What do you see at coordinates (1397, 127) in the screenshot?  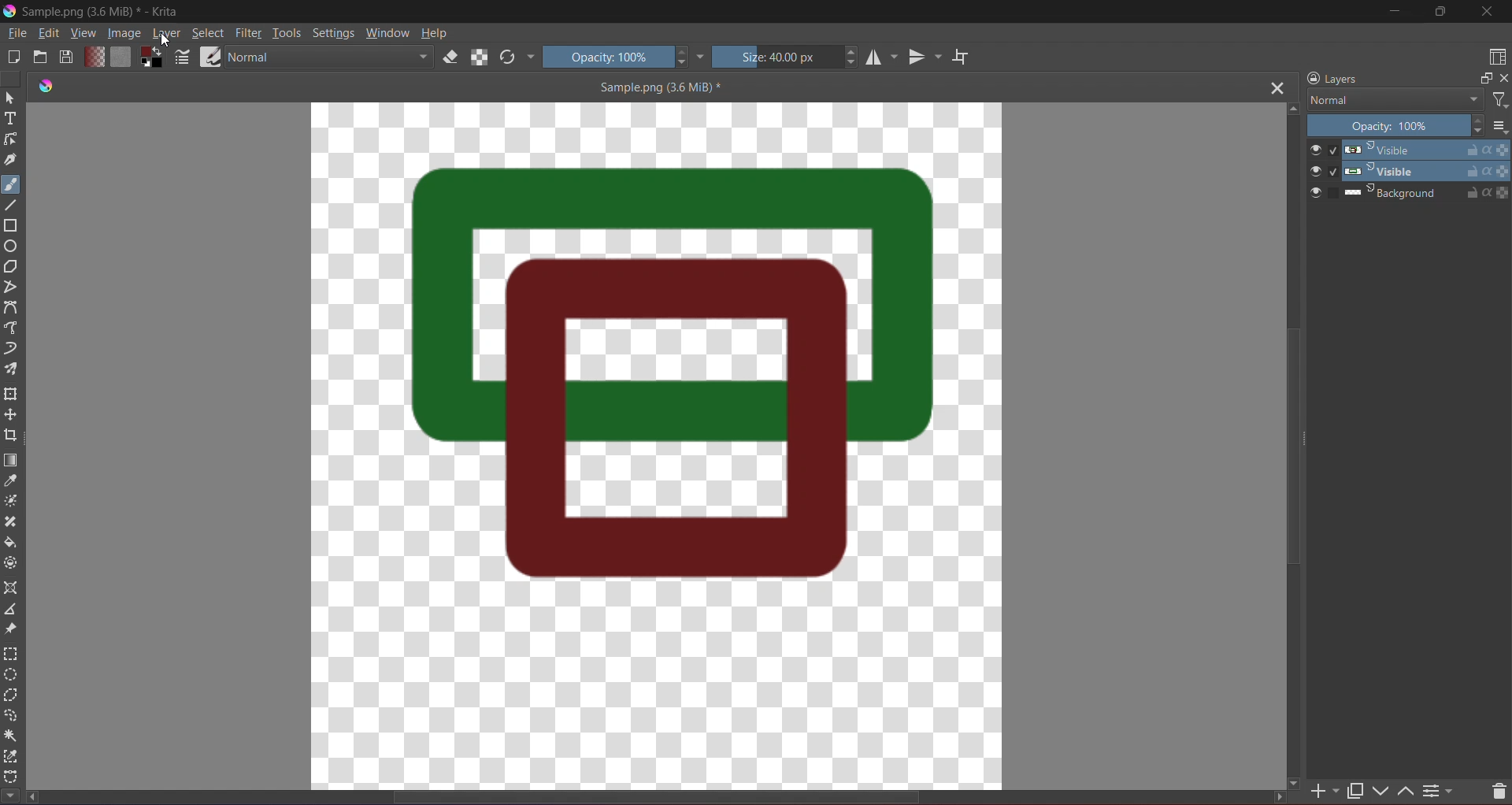 I see `Opacity` at bounding box center [1397, 127].